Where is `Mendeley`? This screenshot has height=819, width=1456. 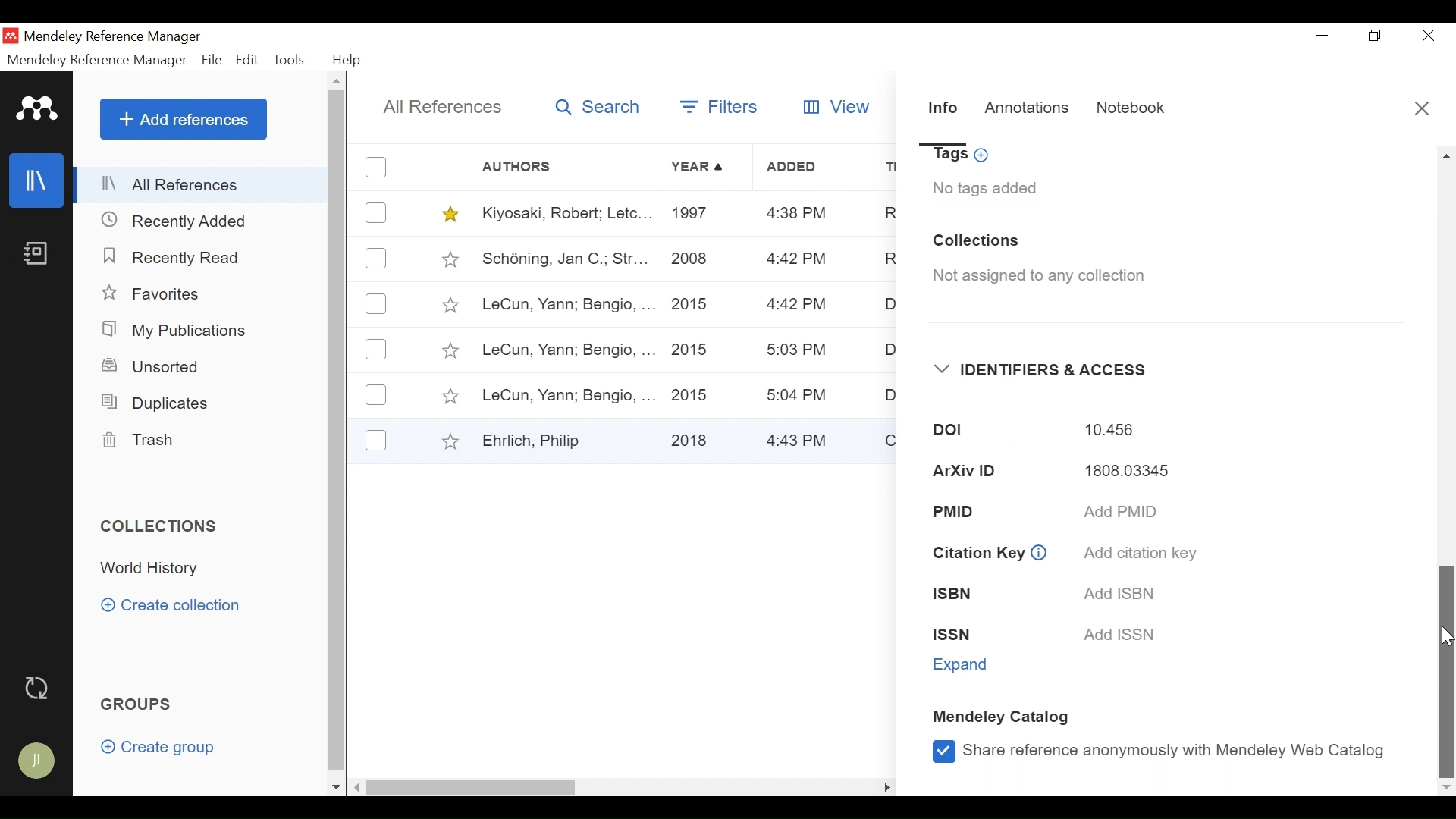
Mendeley is located at coordinates (38, 108).